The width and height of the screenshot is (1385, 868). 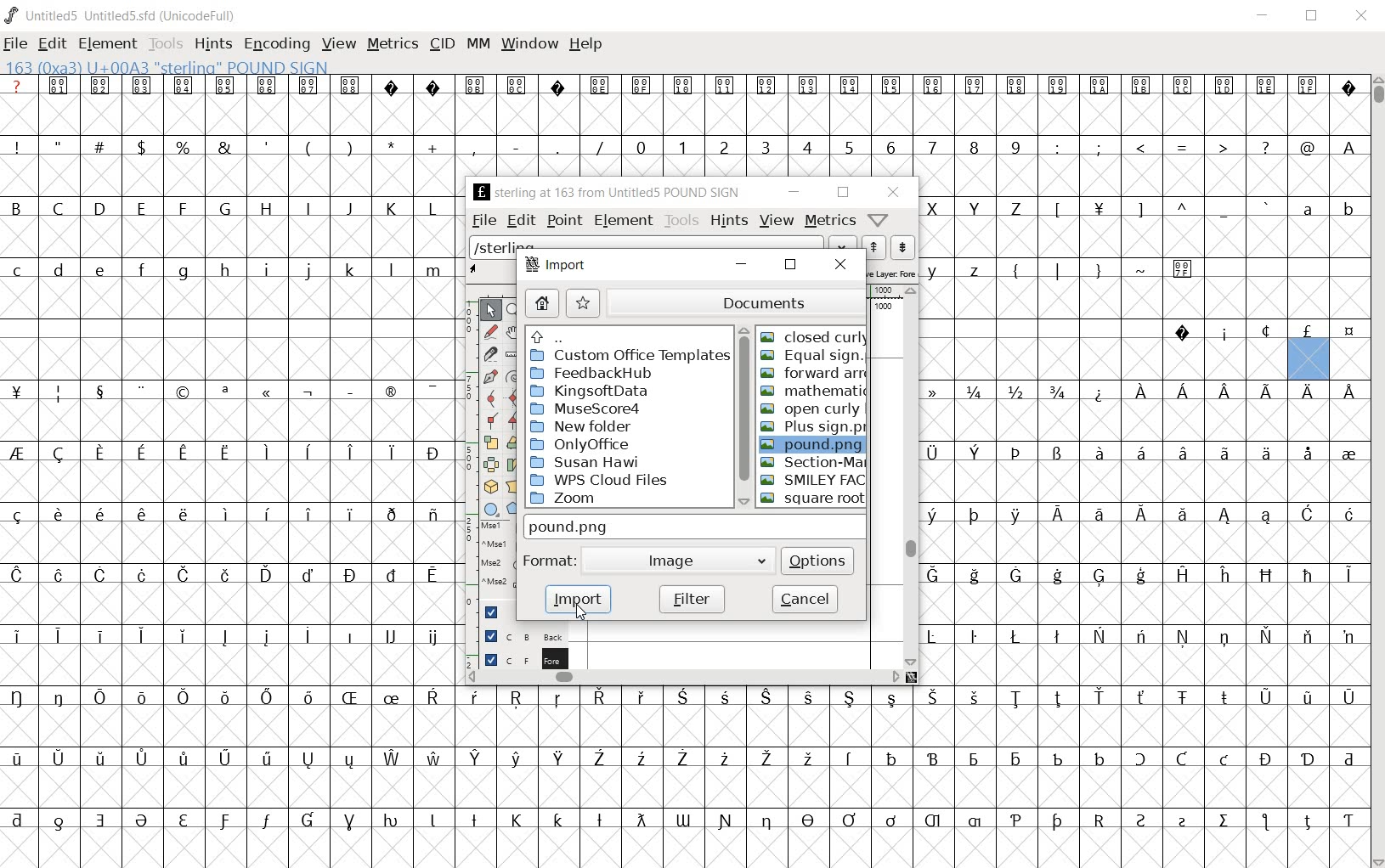 I want to click on Symbol, so click(x=56, y=516).